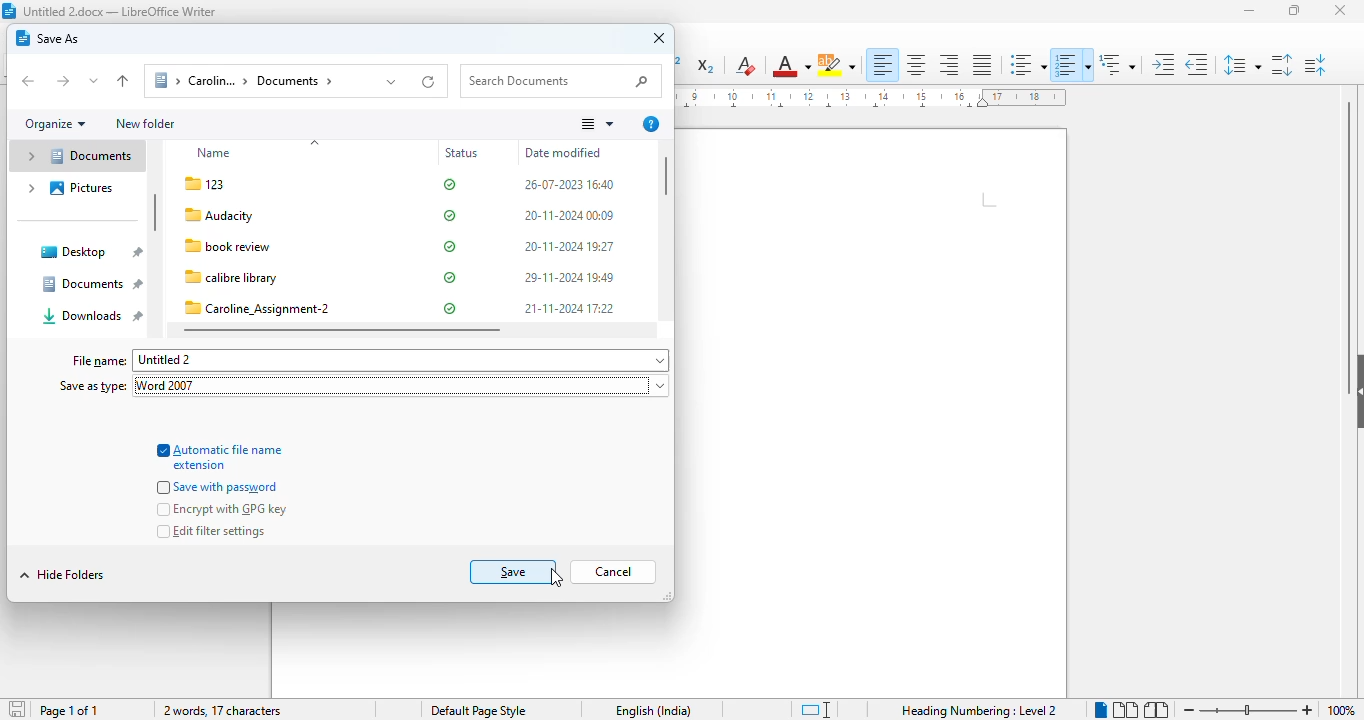 This screenshot has width=1364, height=720. I want to click on horizontal scroll bar, so click(342, 330).